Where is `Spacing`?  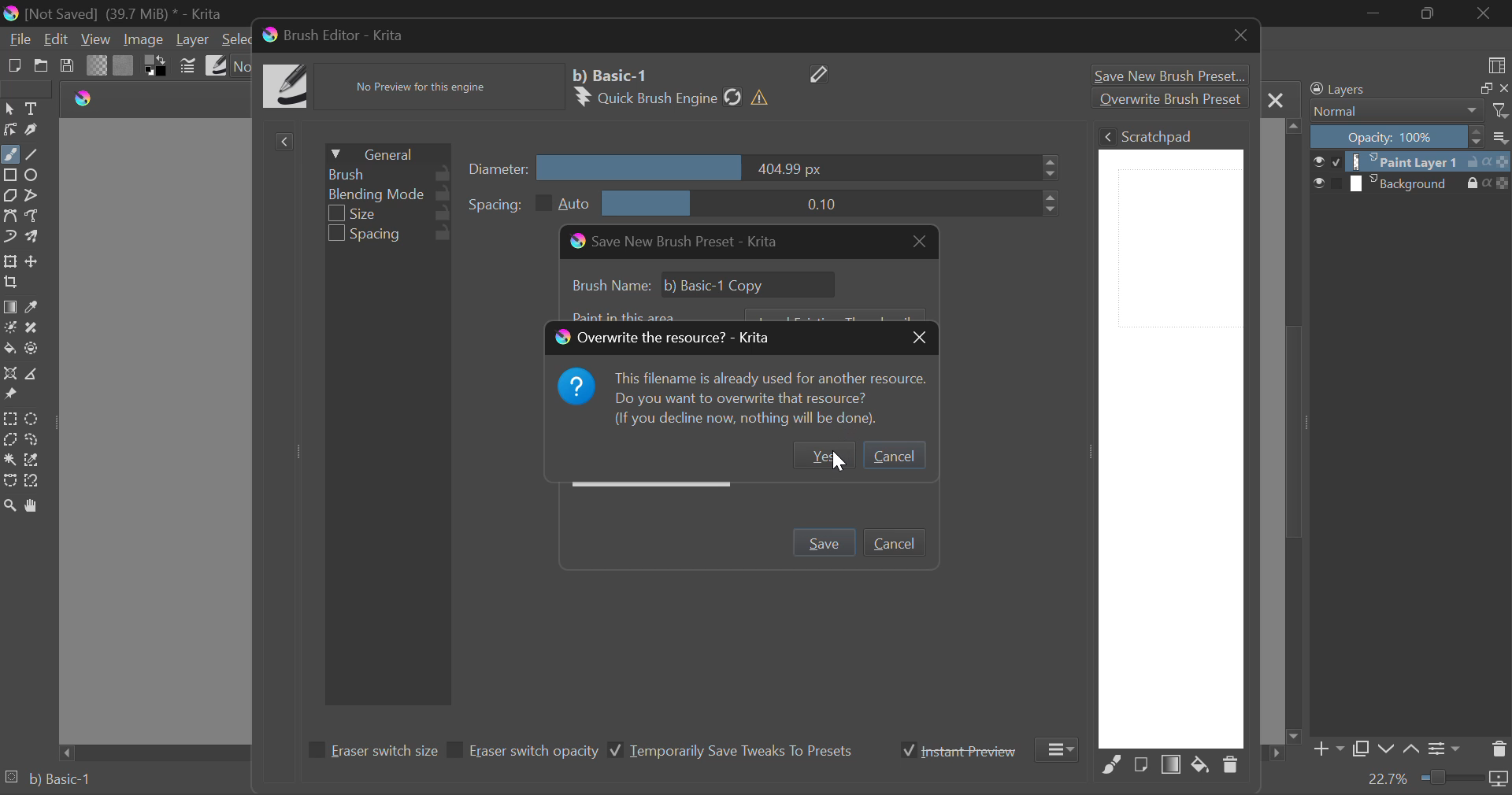 Spacing is located at coordinates (389, 235).